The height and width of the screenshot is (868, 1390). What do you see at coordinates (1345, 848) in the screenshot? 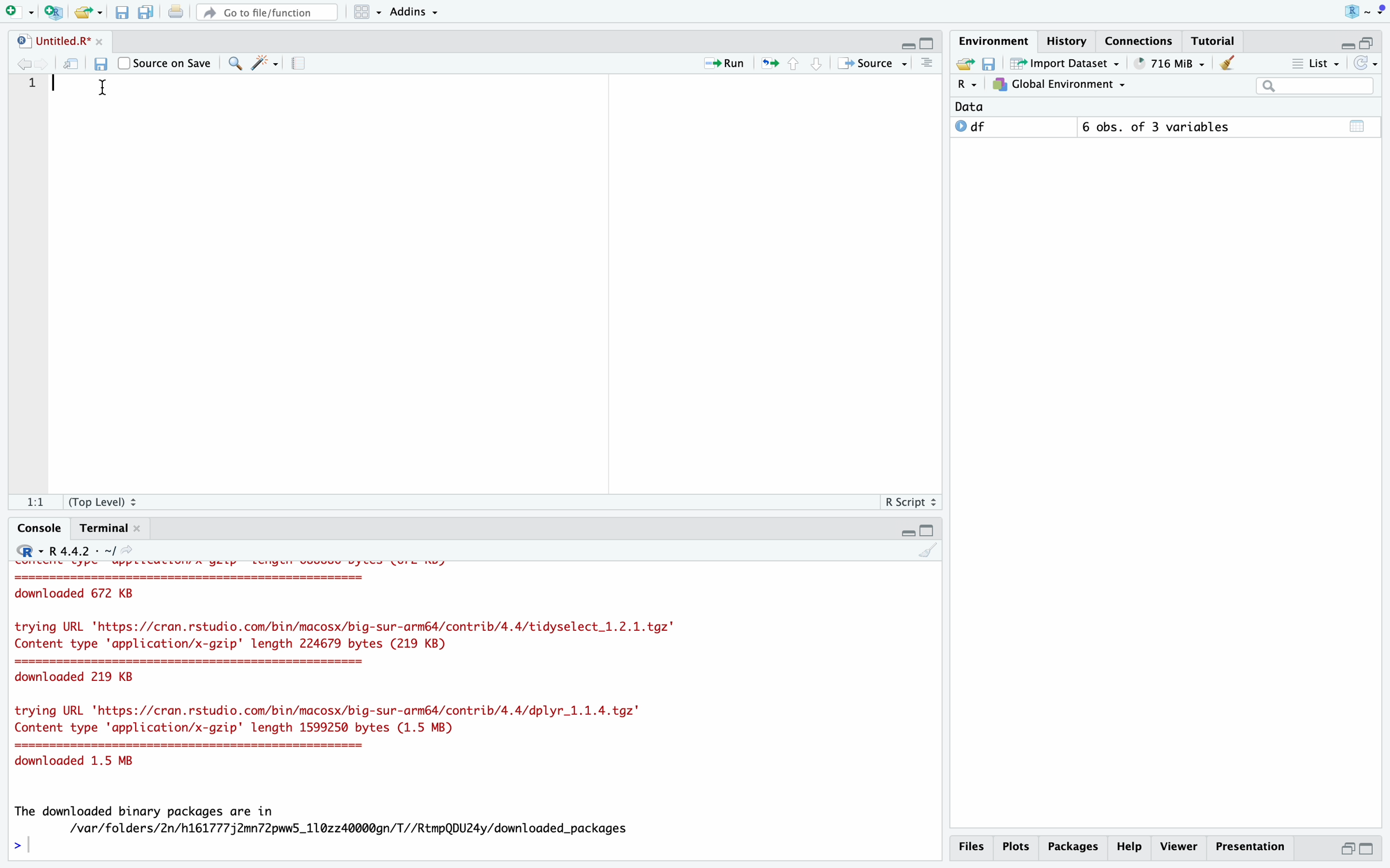
I see `Half Height` at bounding box center [1345, 848].